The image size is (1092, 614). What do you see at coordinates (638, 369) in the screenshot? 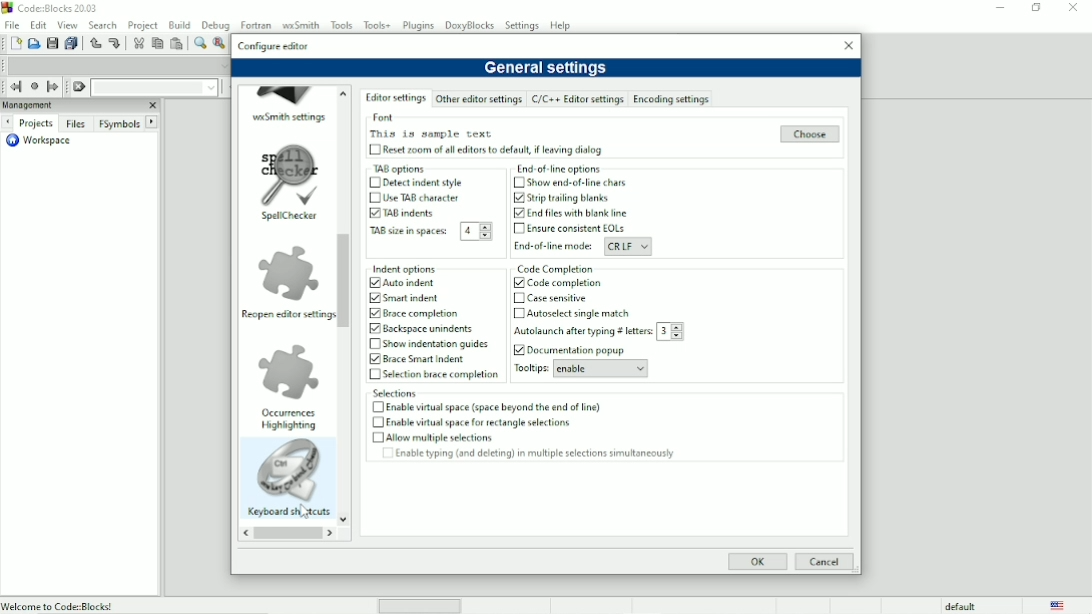
I see `Drop down` at bounding box center [638, 369].